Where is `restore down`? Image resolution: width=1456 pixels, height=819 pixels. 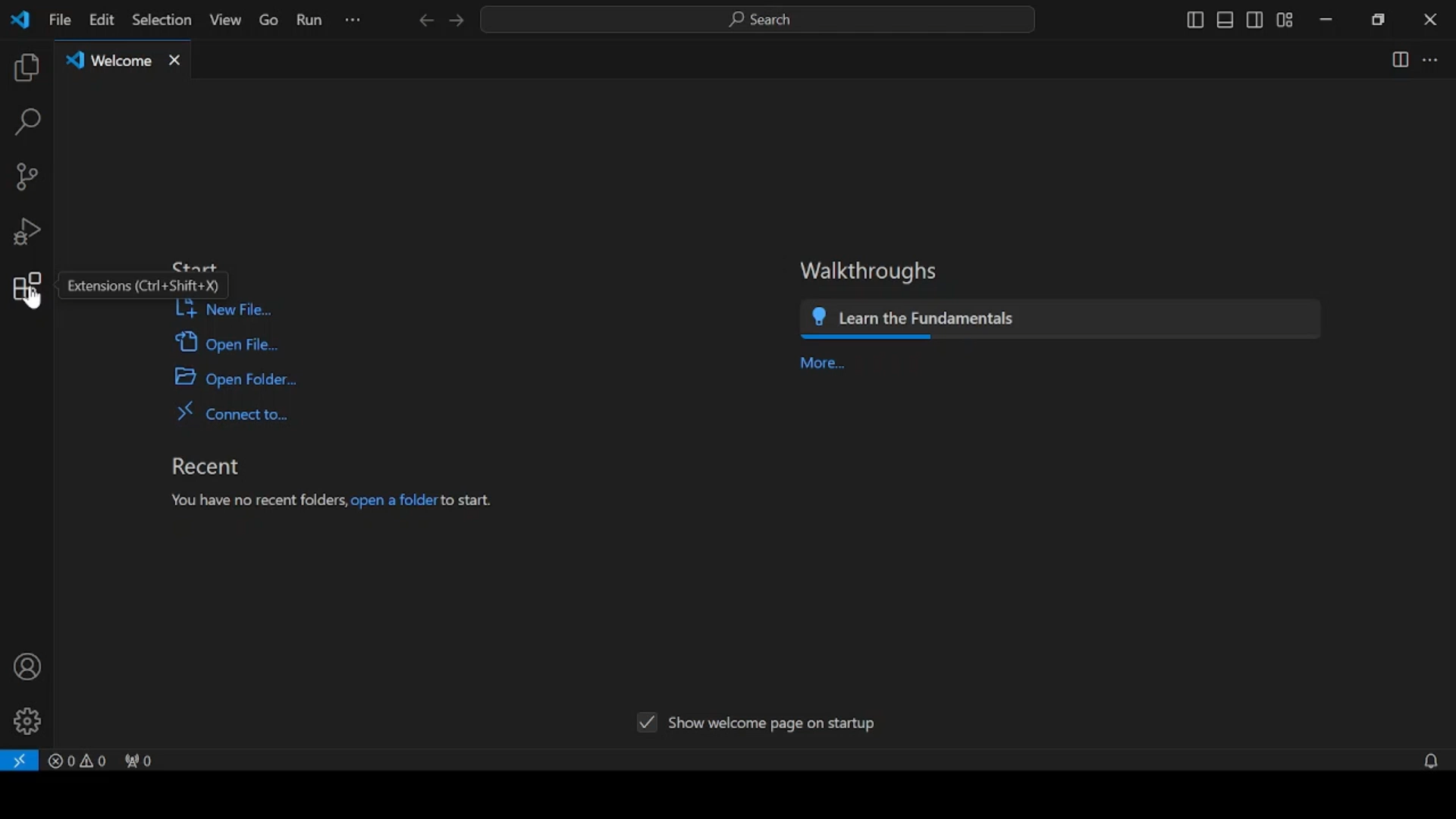 restore down is located at coordinates (1379, 20).